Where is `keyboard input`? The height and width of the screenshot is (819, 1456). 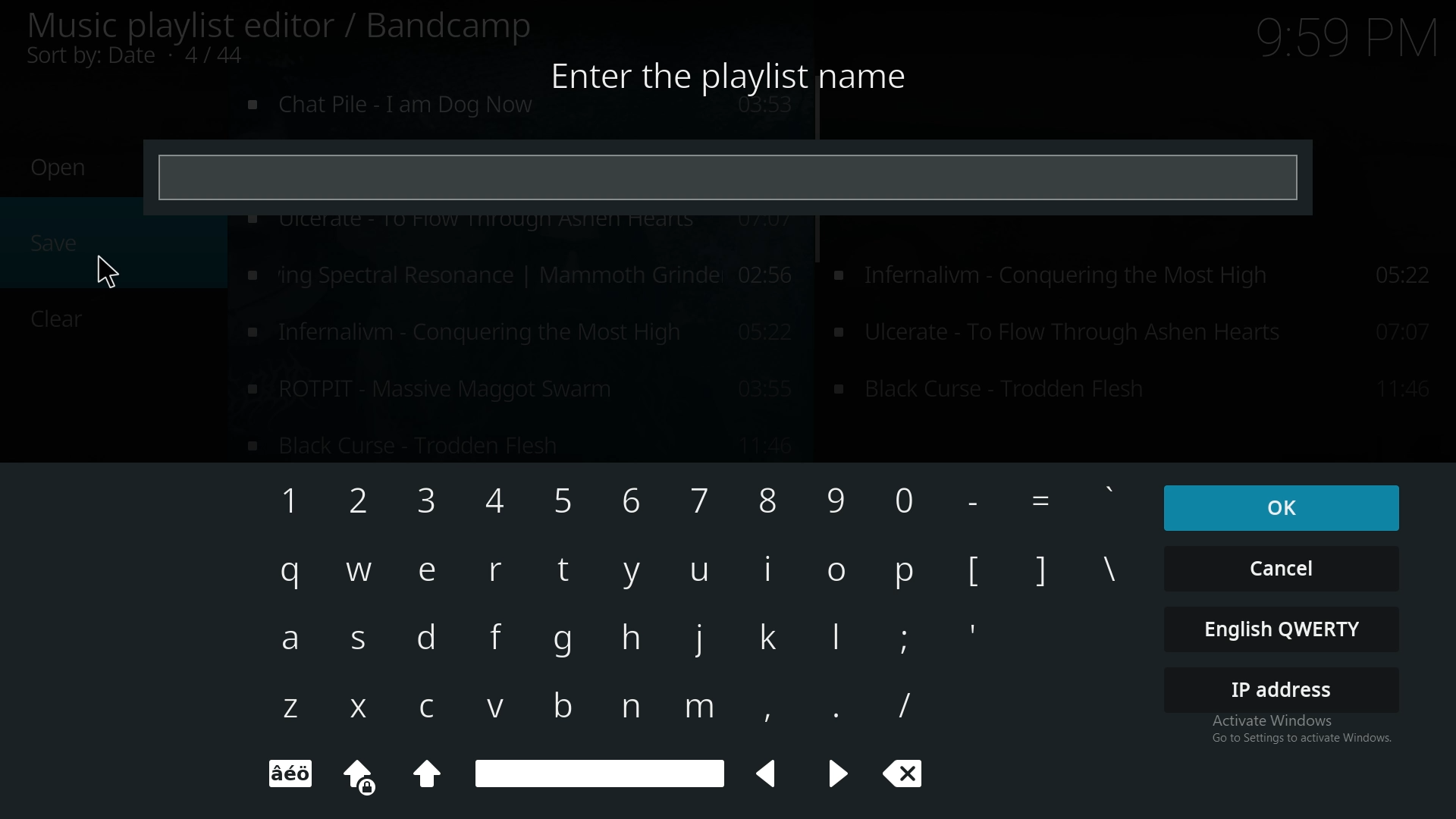 keyboard input is located at coordinates (359, 573).